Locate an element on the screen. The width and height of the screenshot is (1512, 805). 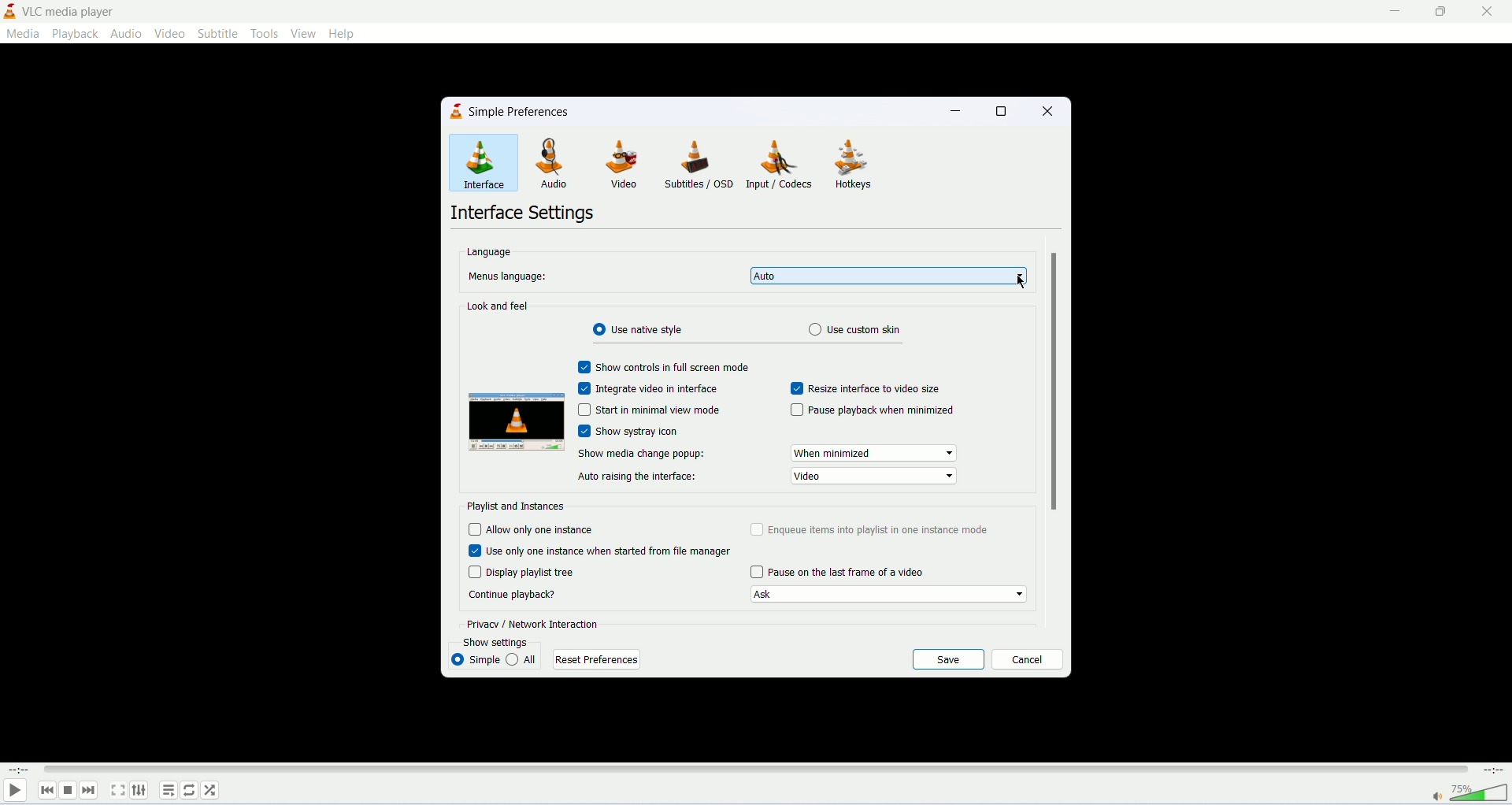
audio is located at coordinates (125, 33).